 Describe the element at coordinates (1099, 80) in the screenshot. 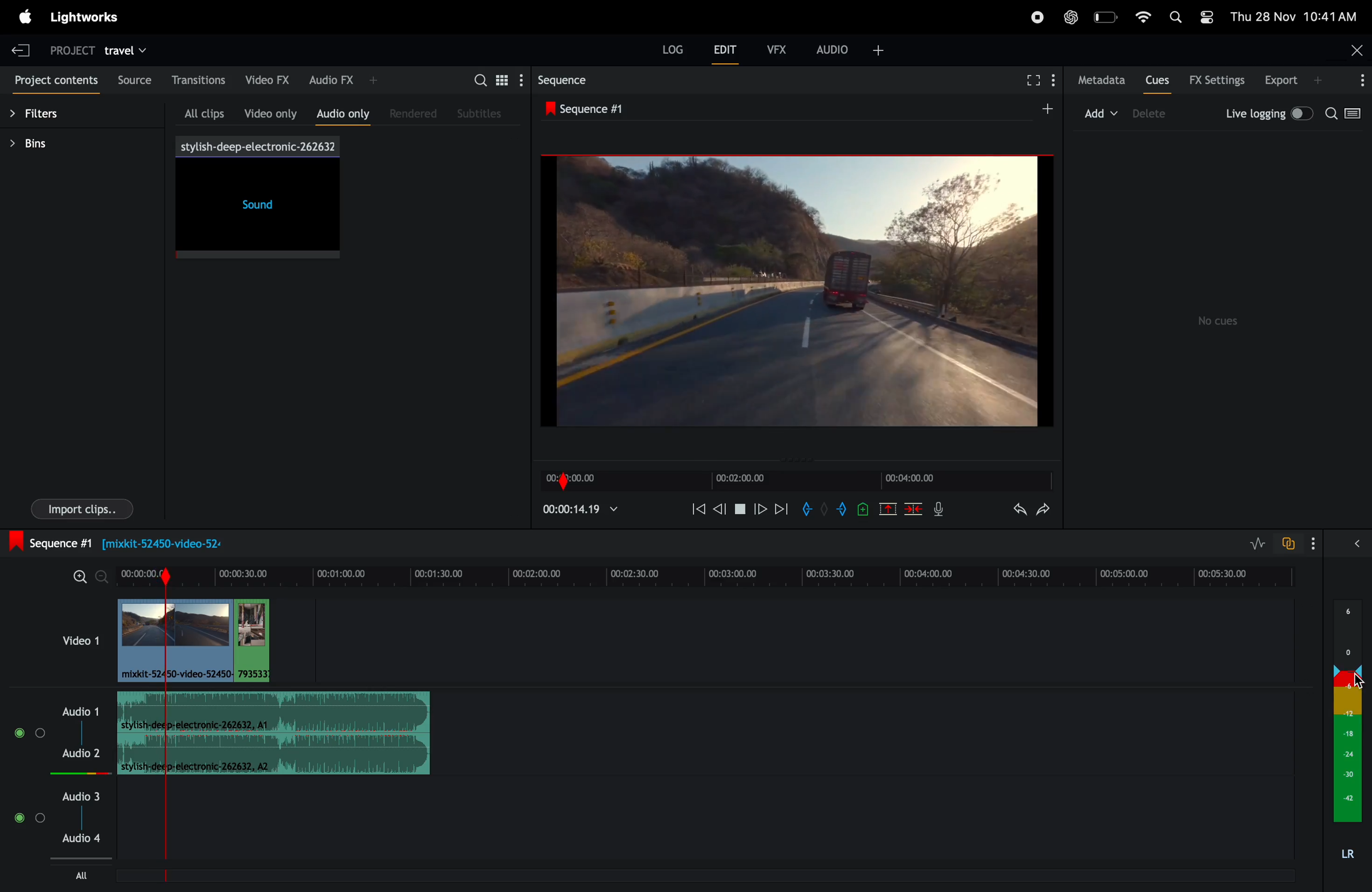

I see `meta data` at that location.